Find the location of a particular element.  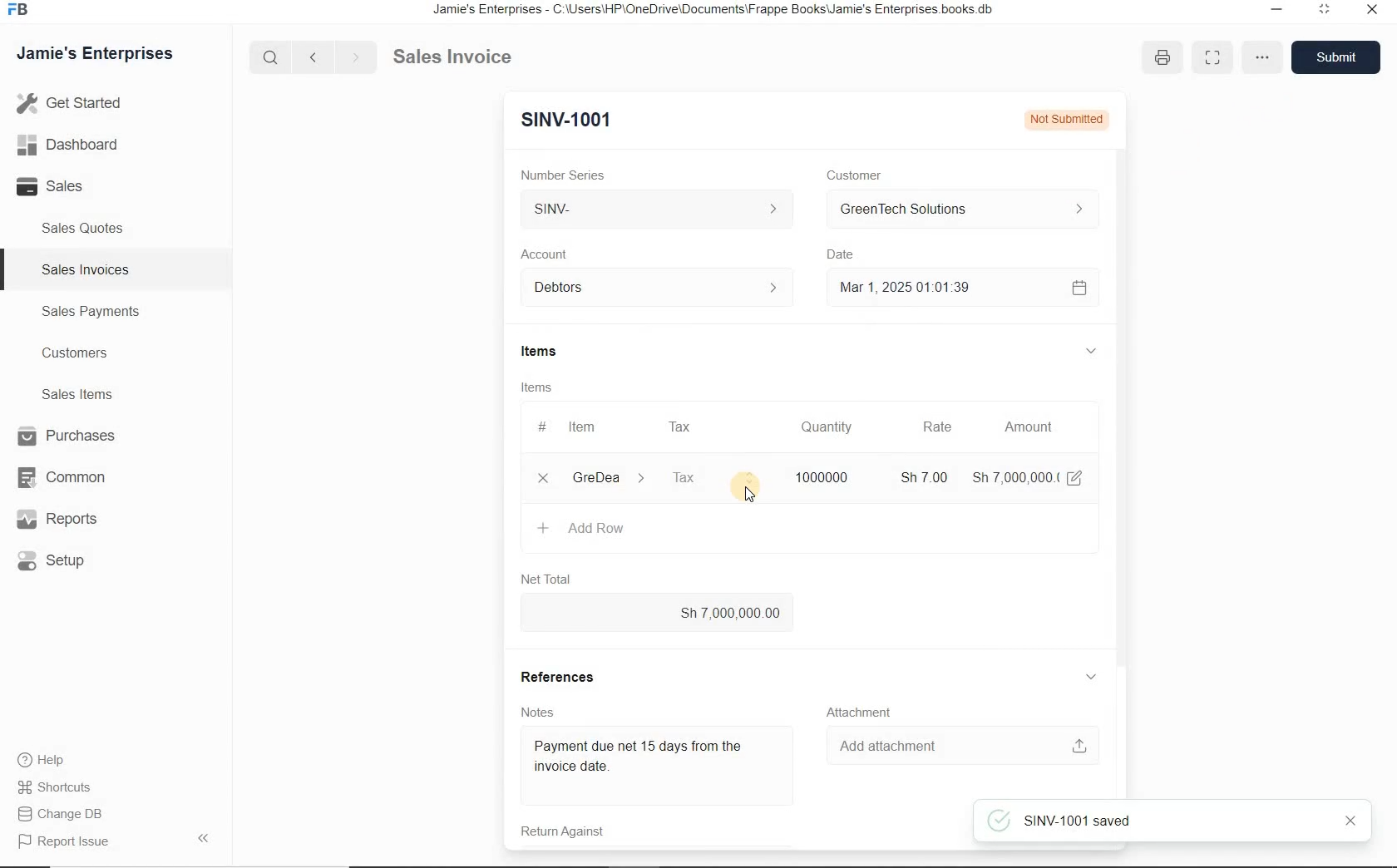

full screen is located at coordinates (1212, 57).